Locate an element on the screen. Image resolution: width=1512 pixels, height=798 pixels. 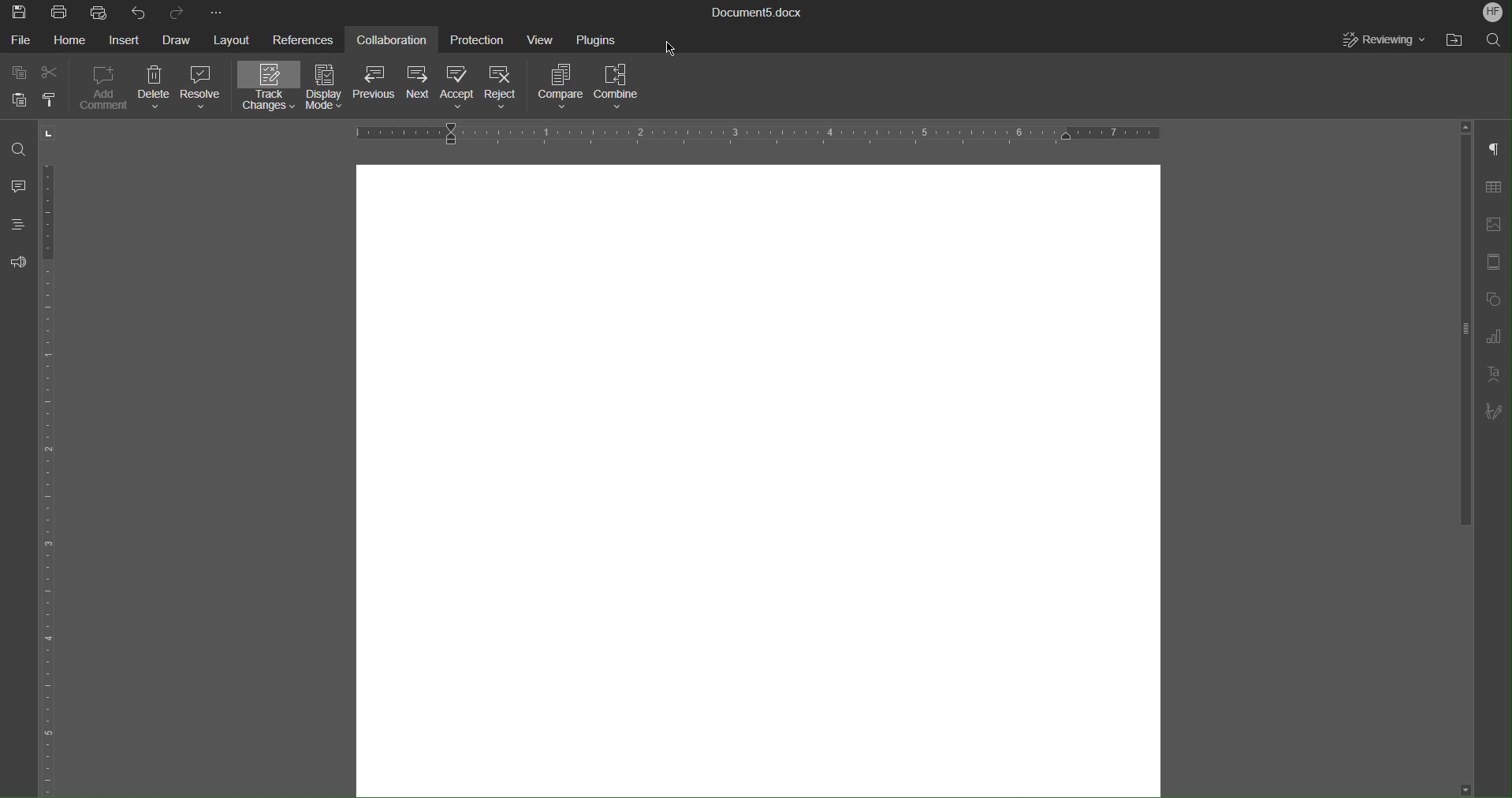
Quick Print is located at coordinates (99, 13).